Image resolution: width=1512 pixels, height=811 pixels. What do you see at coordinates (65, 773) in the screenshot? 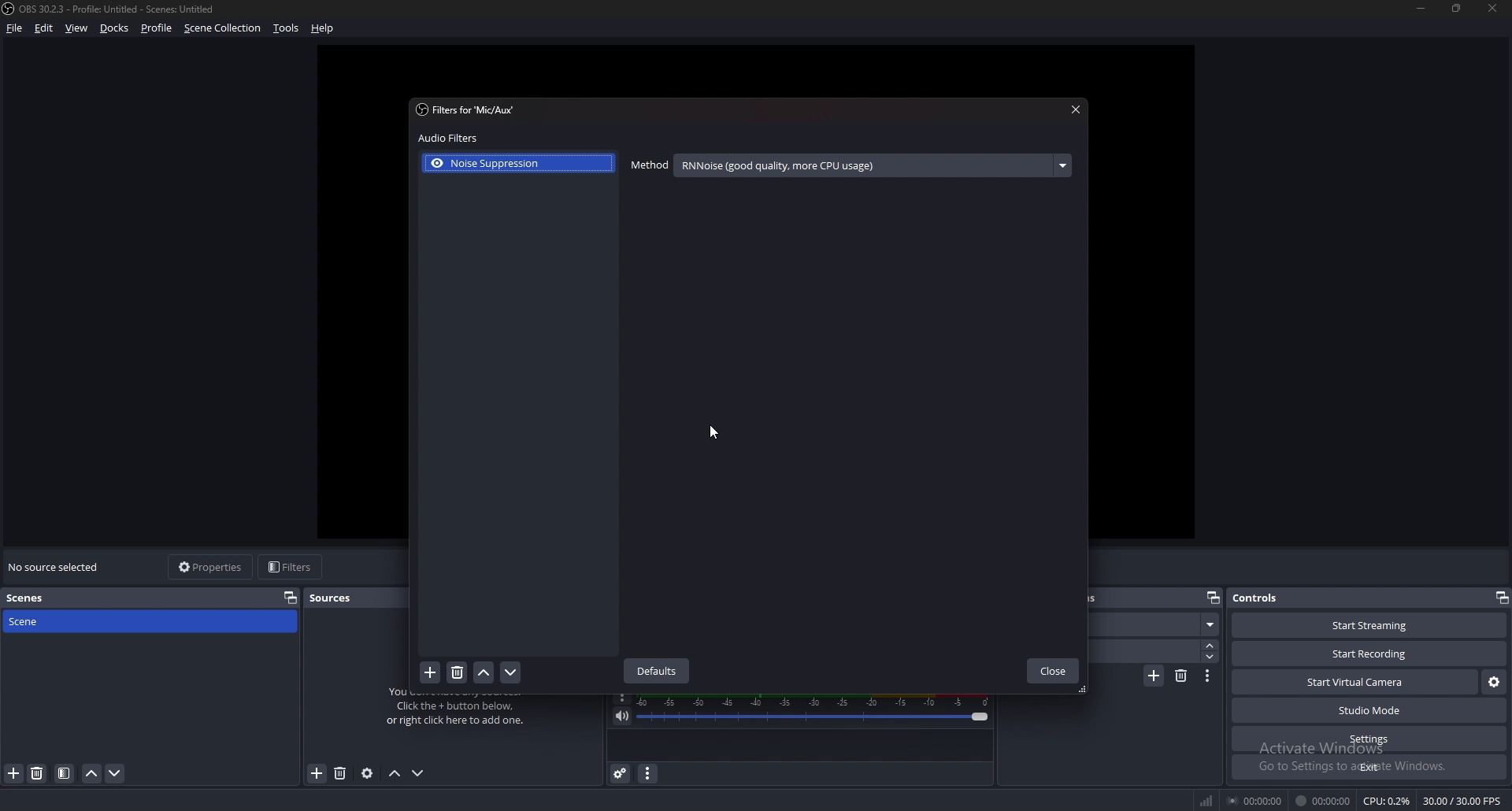
I see `filter` at bounding box center [65, 773].